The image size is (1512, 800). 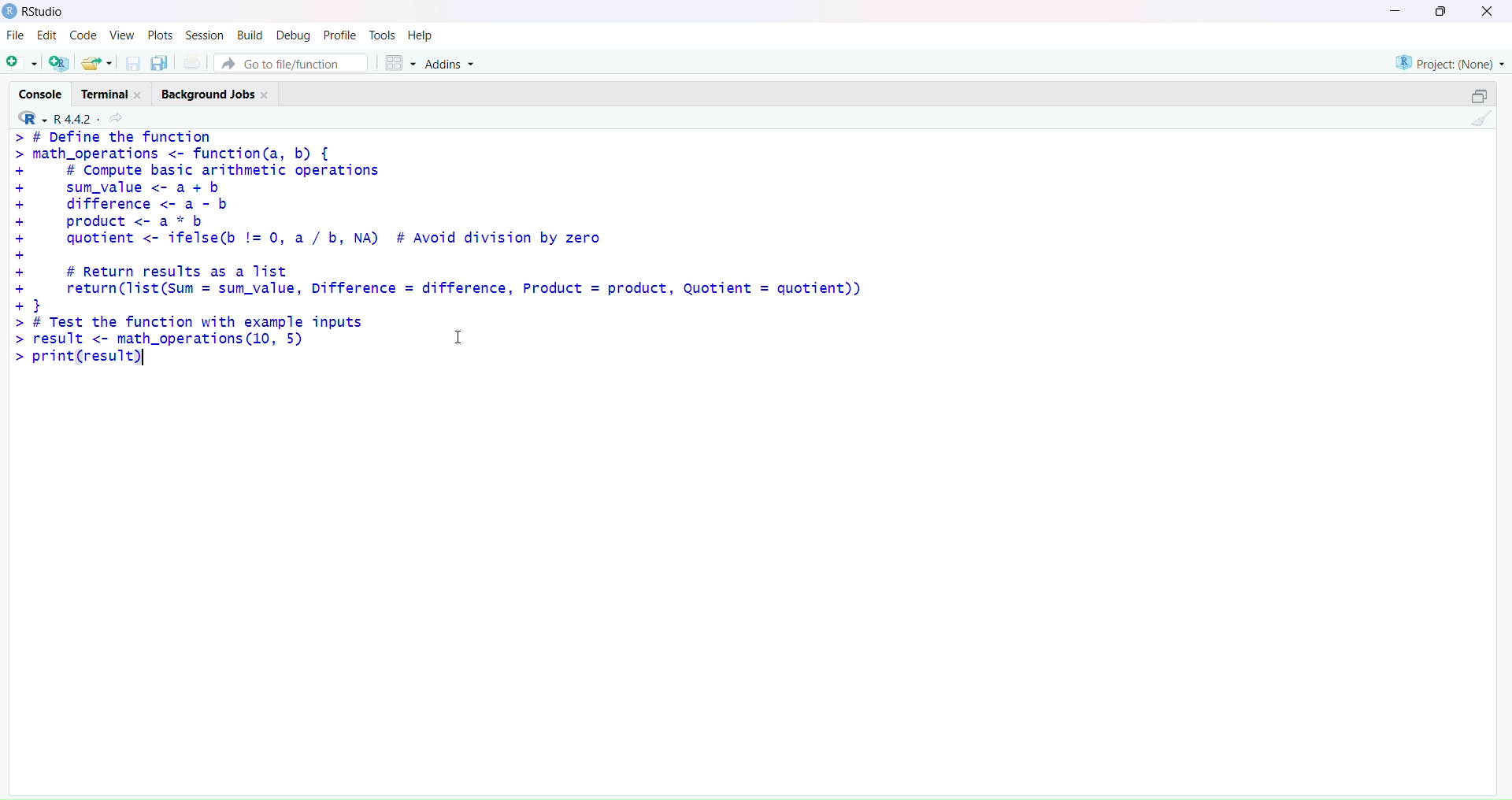 I want to click on RStudio, so click(x=35, y=12).